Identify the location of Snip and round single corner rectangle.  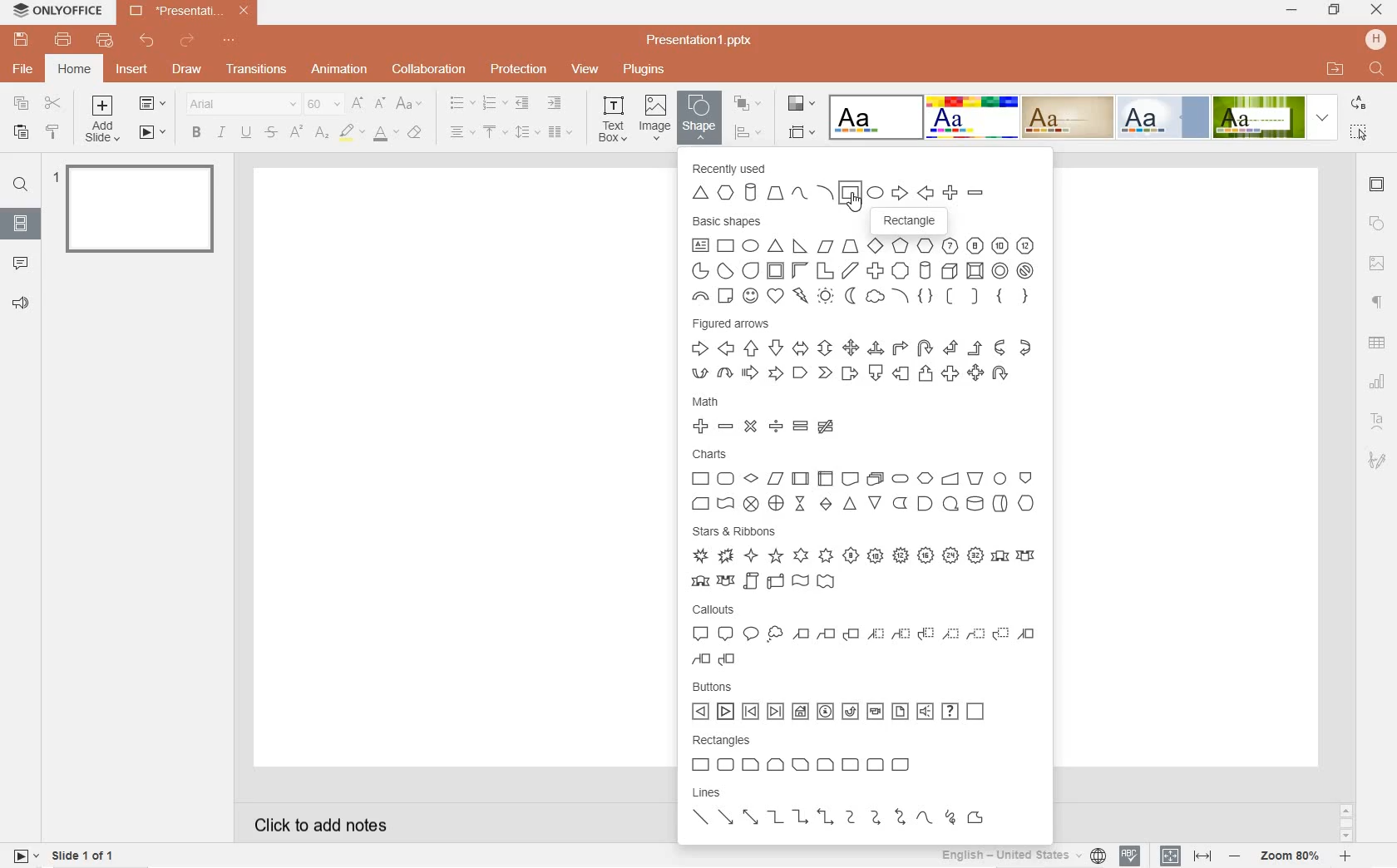
(825, 767).